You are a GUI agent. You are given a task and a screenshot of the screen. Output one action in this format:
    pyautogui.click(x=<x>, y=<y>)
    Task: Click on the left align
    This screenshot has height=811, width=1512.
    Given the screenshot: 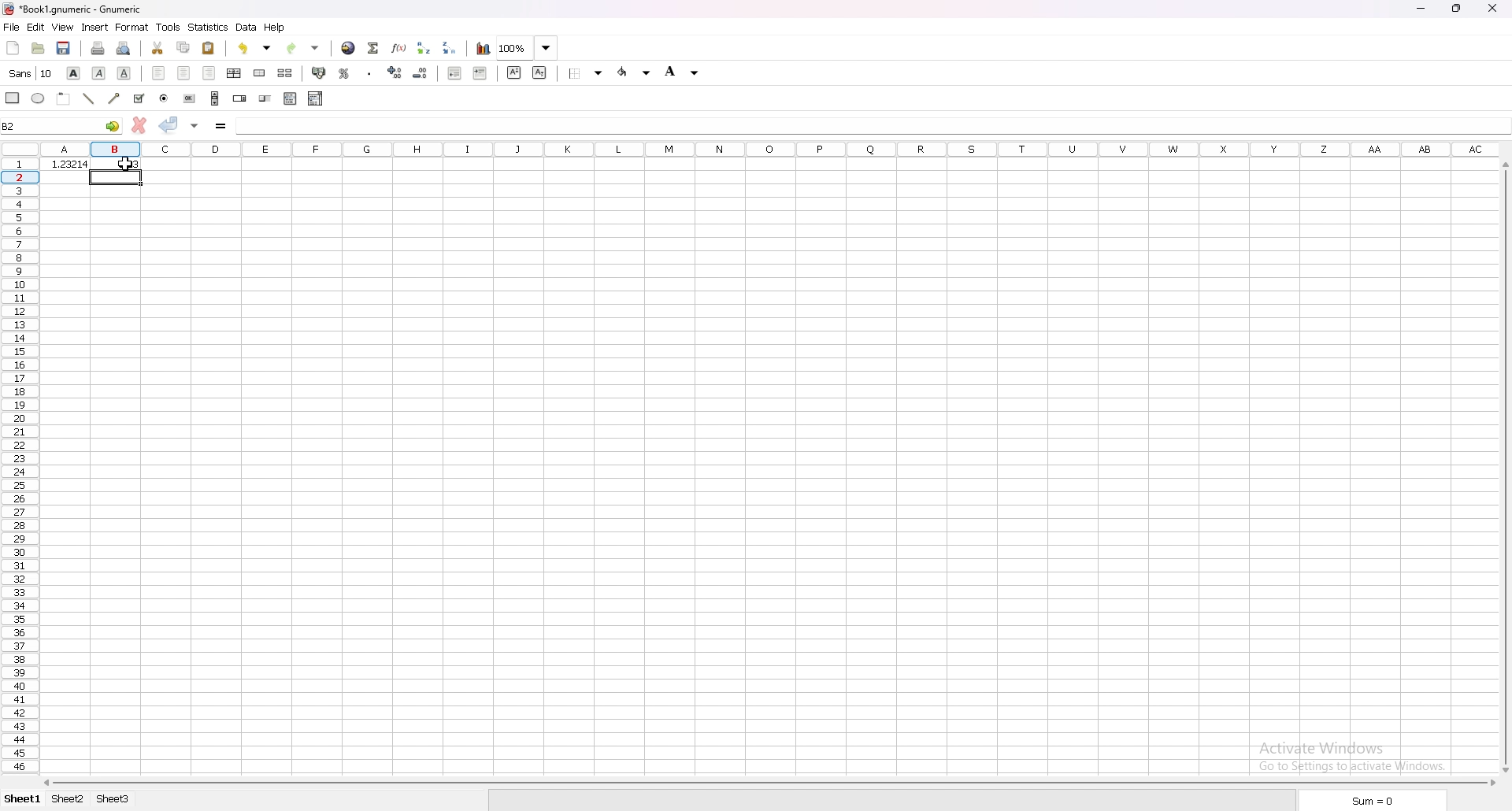 What is the action you would take?
    pyautogui.click(x=158, y=72)
    